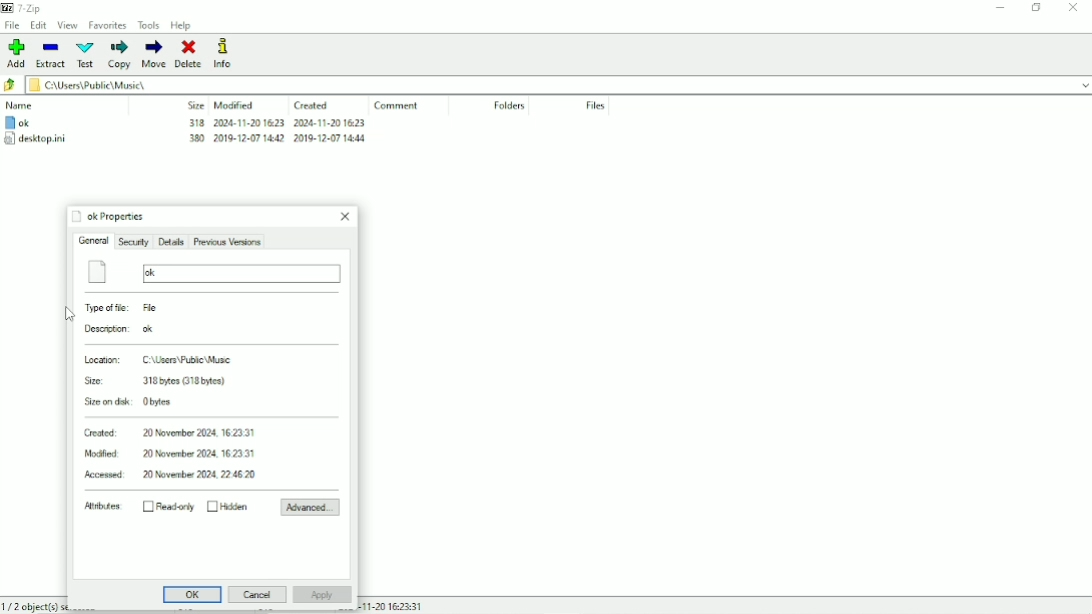 This screenshot has width=1092, height=614. What do you see at coordinates (1085, 84) in the screenshot?
I see `drop down` at bounding box center [1085, 84].